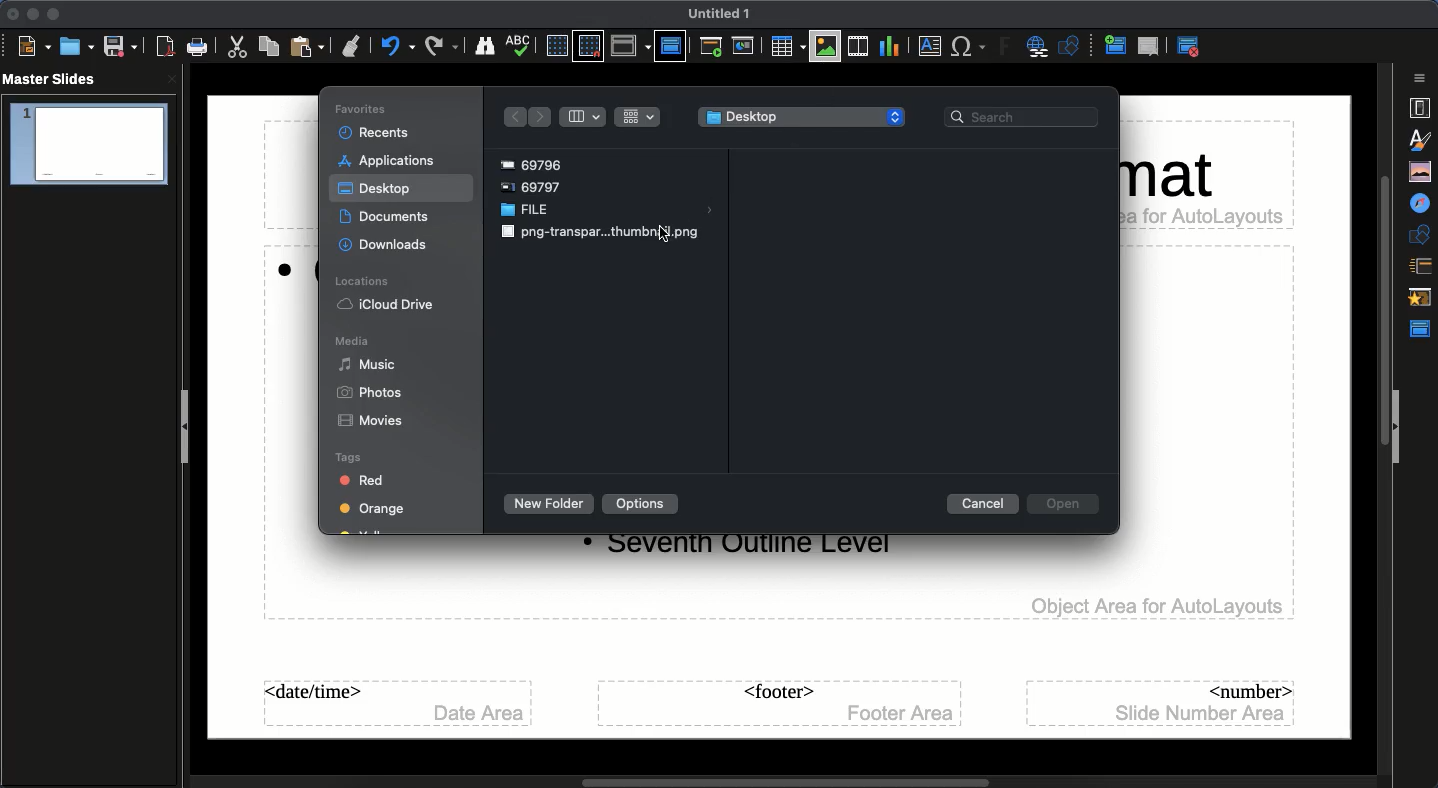 This screenshot has width=1438, height=788. I want to click on File, so click(607, 211).